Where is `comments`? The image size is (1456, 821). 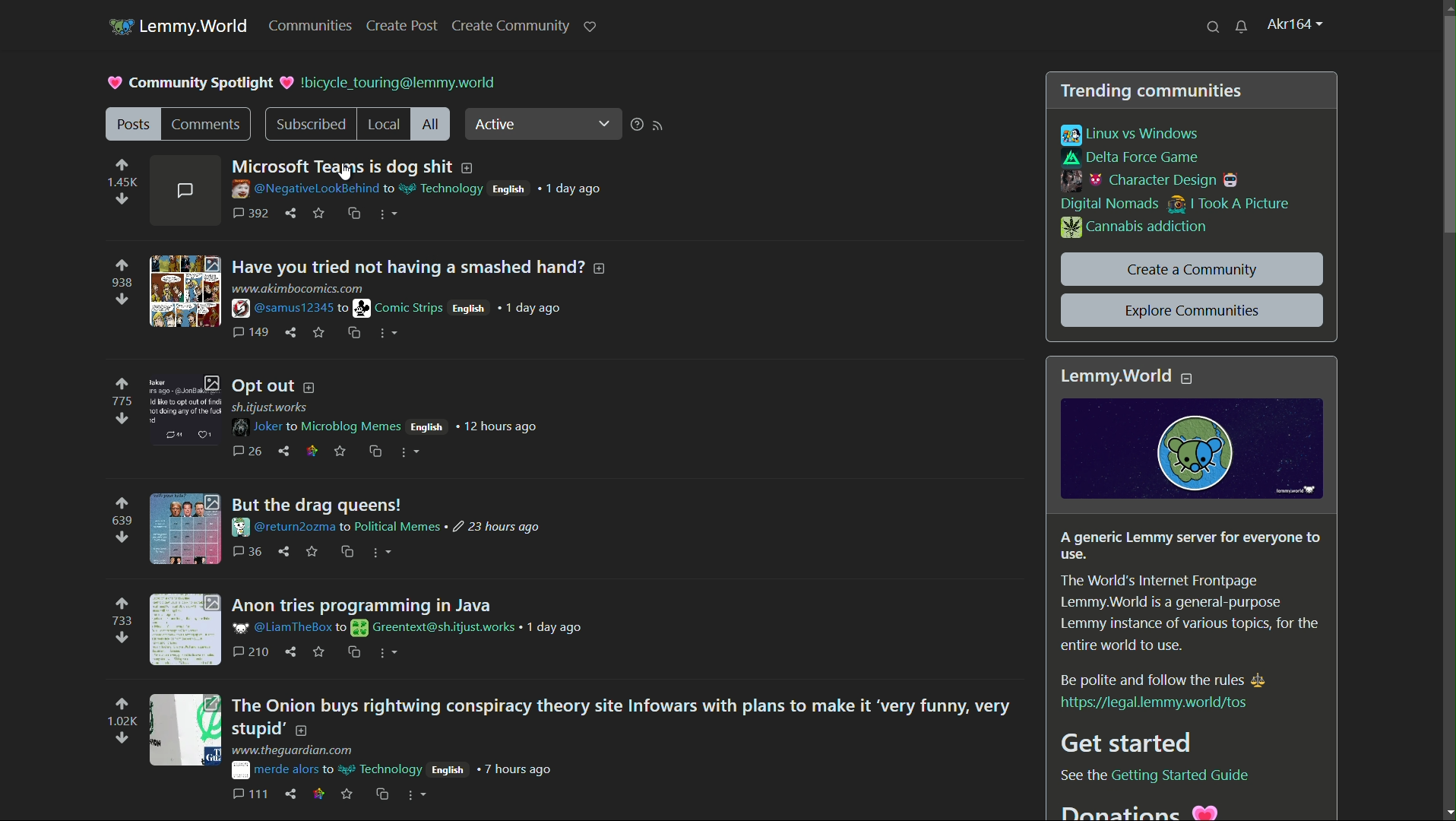 comments is located at coordinates (248, 551).